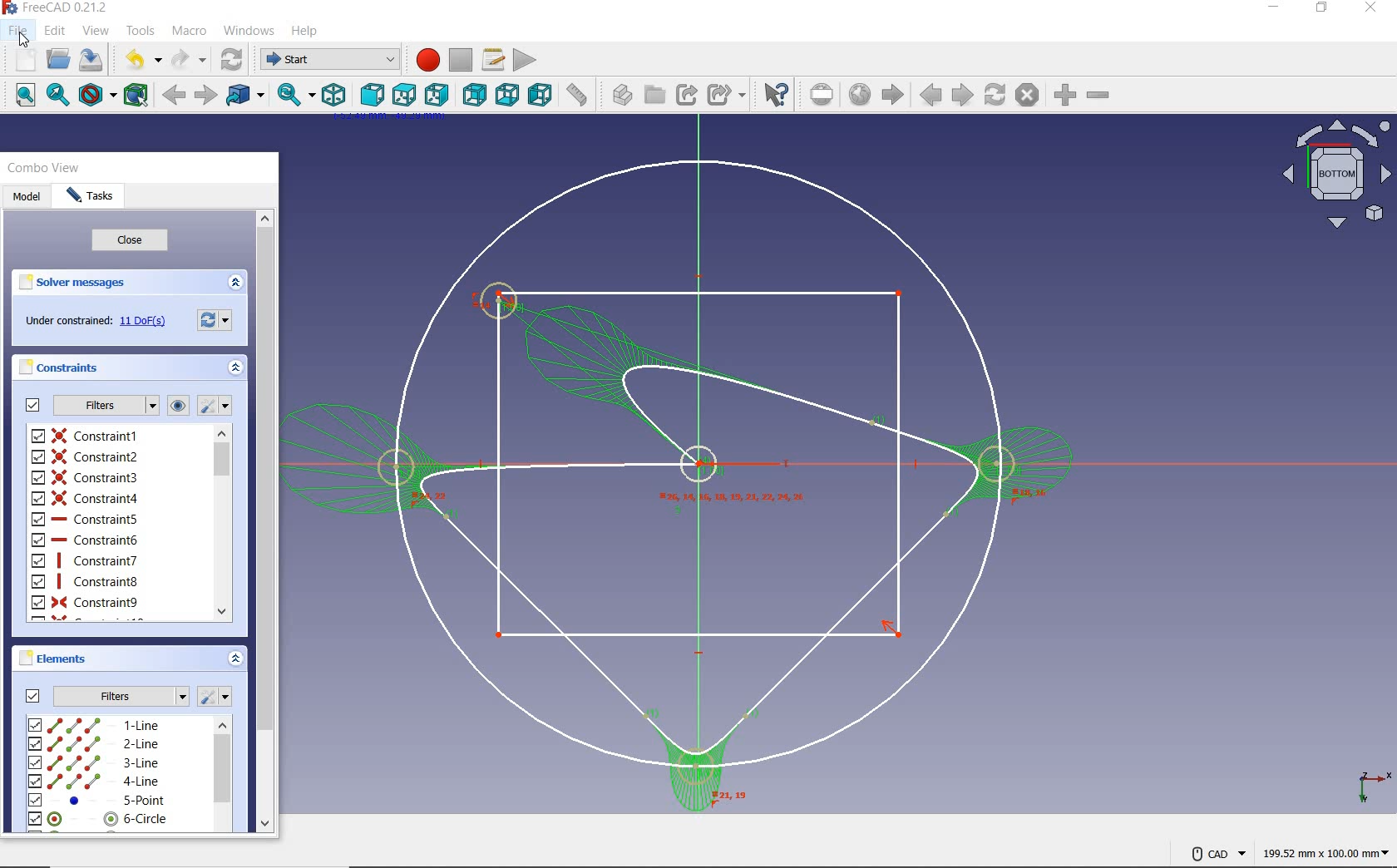 This screenshot has height=868, width=1397. What do you see at coordinates (222, 776) in the screenshot?
I see `scrollbar` at bounding box center [222, 776].